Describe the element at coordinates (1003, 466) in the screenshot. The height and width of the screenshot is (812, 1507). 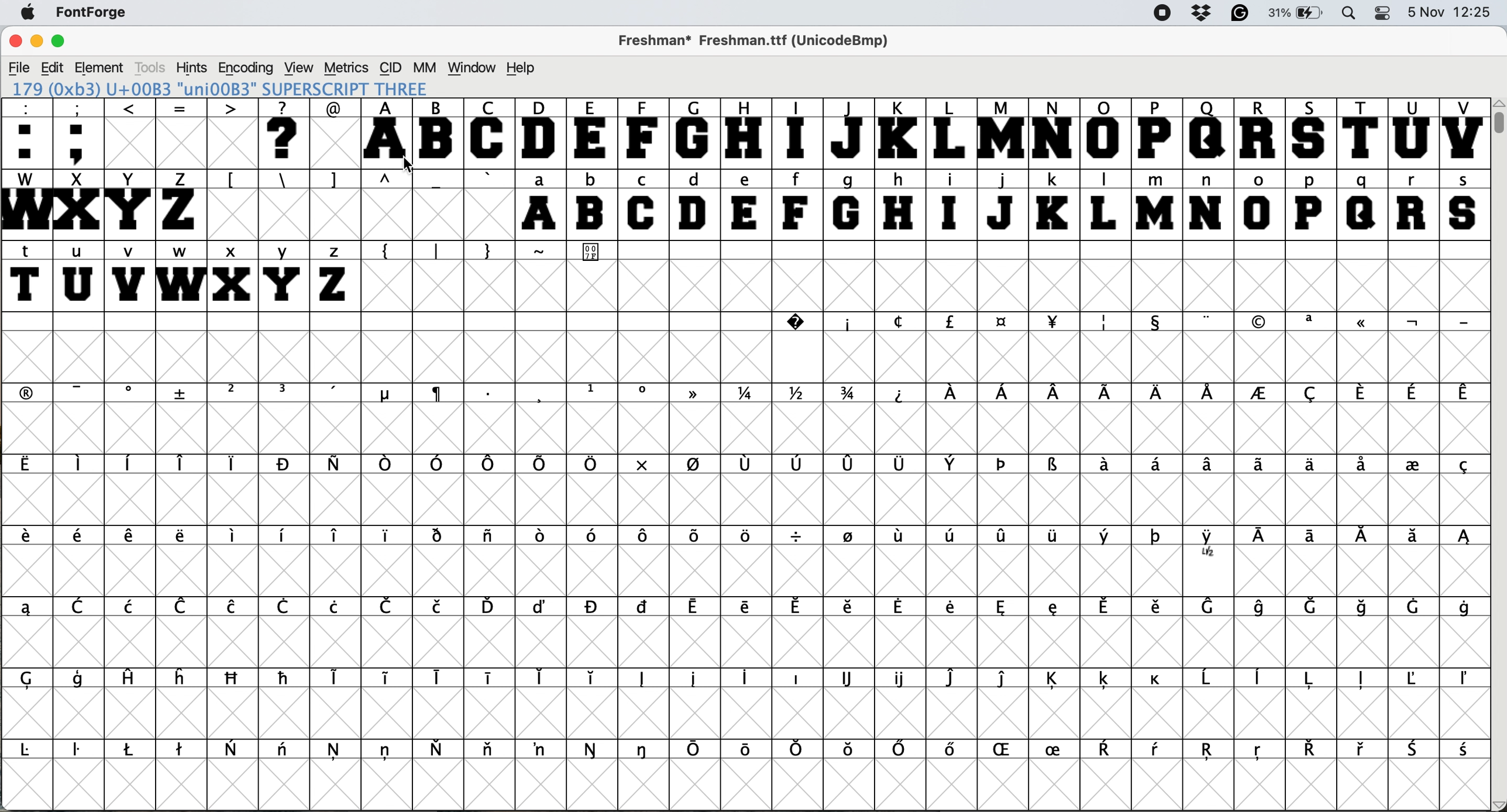
I see `symbol` at that location.